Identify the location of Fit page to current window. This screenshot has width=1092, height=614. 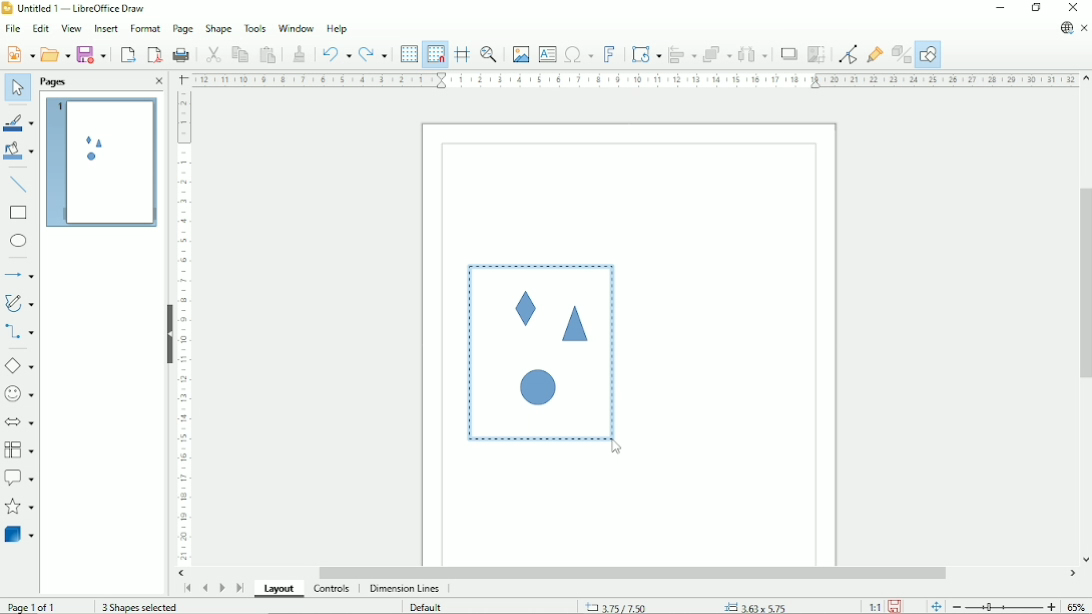
(934, 606).